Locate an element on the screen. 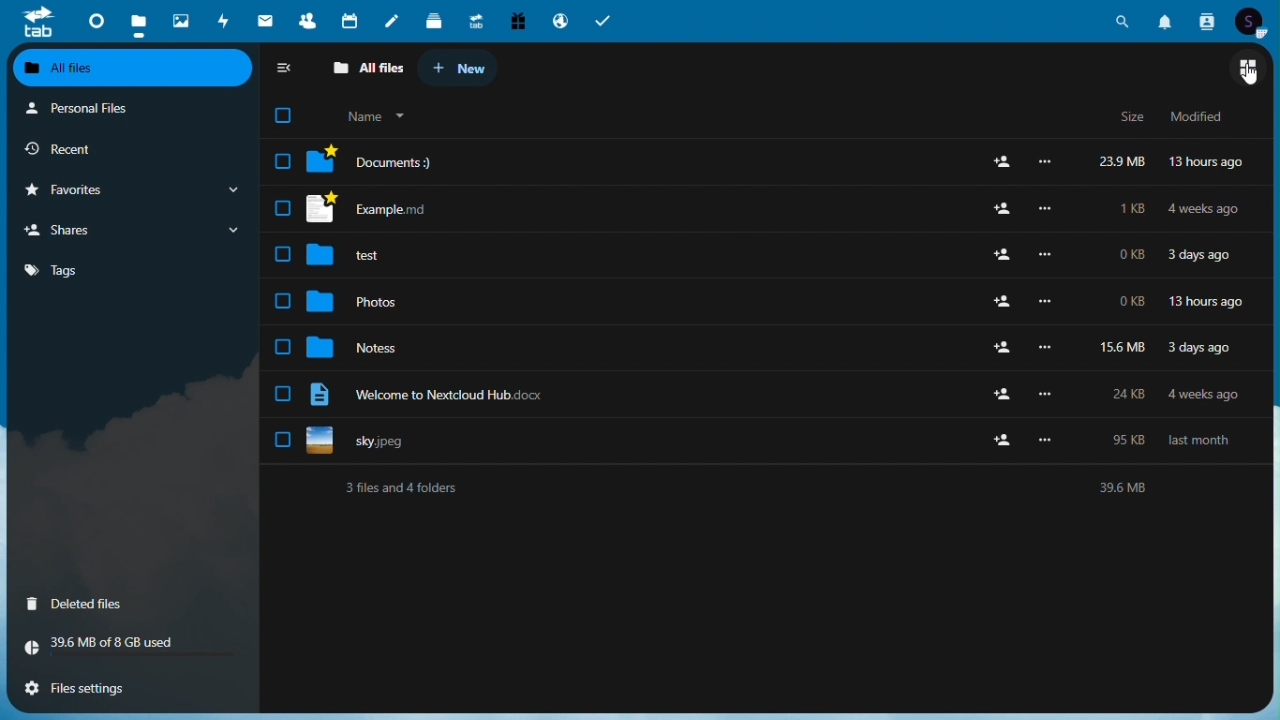 This screenshot has width=1280, height=720. file is located at coordinates (318, 397).